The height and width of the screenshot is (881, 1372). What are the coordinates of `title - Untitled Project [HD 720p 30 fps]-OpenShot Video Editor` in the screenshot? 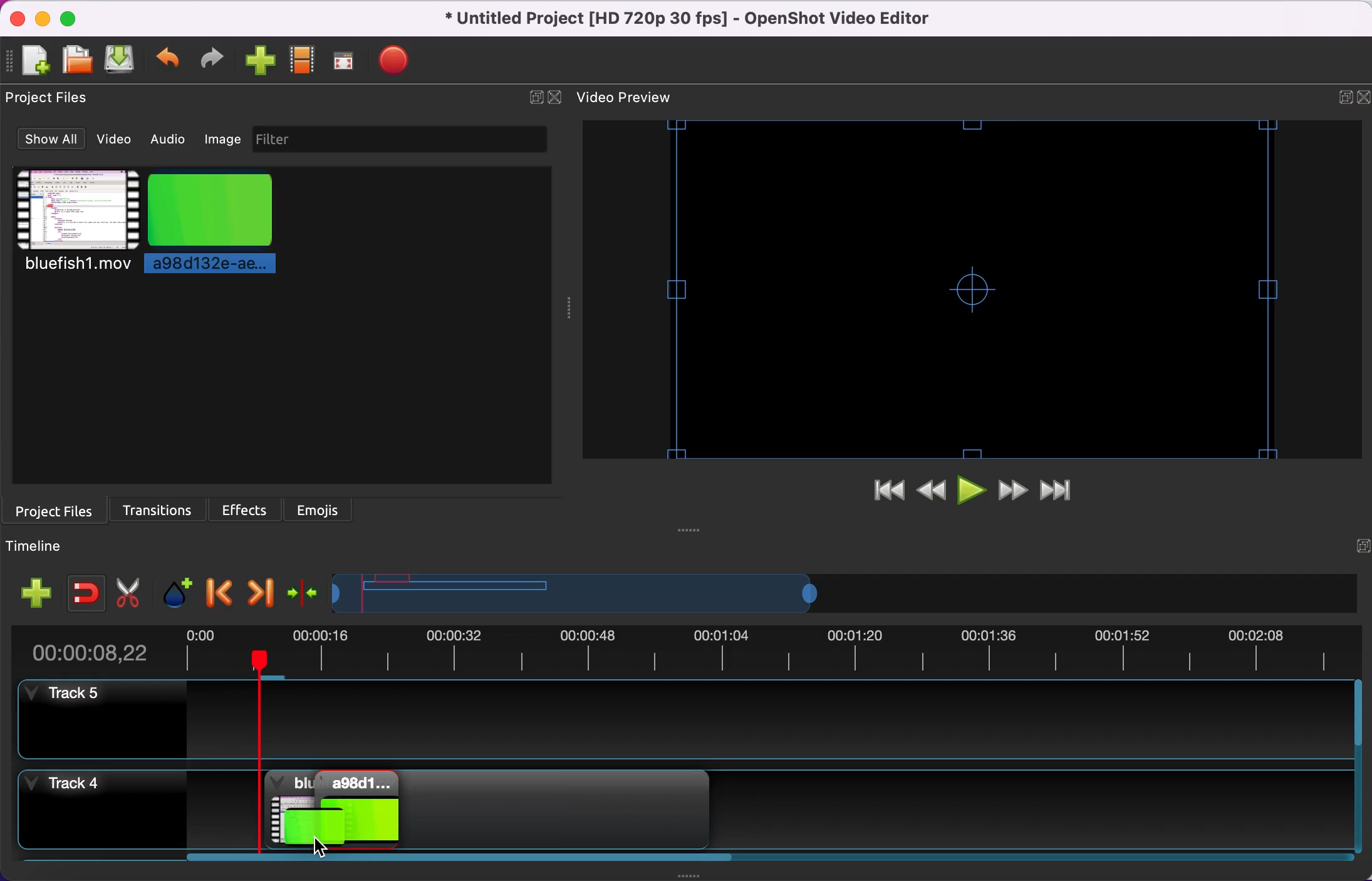 It's located at (707, 18).